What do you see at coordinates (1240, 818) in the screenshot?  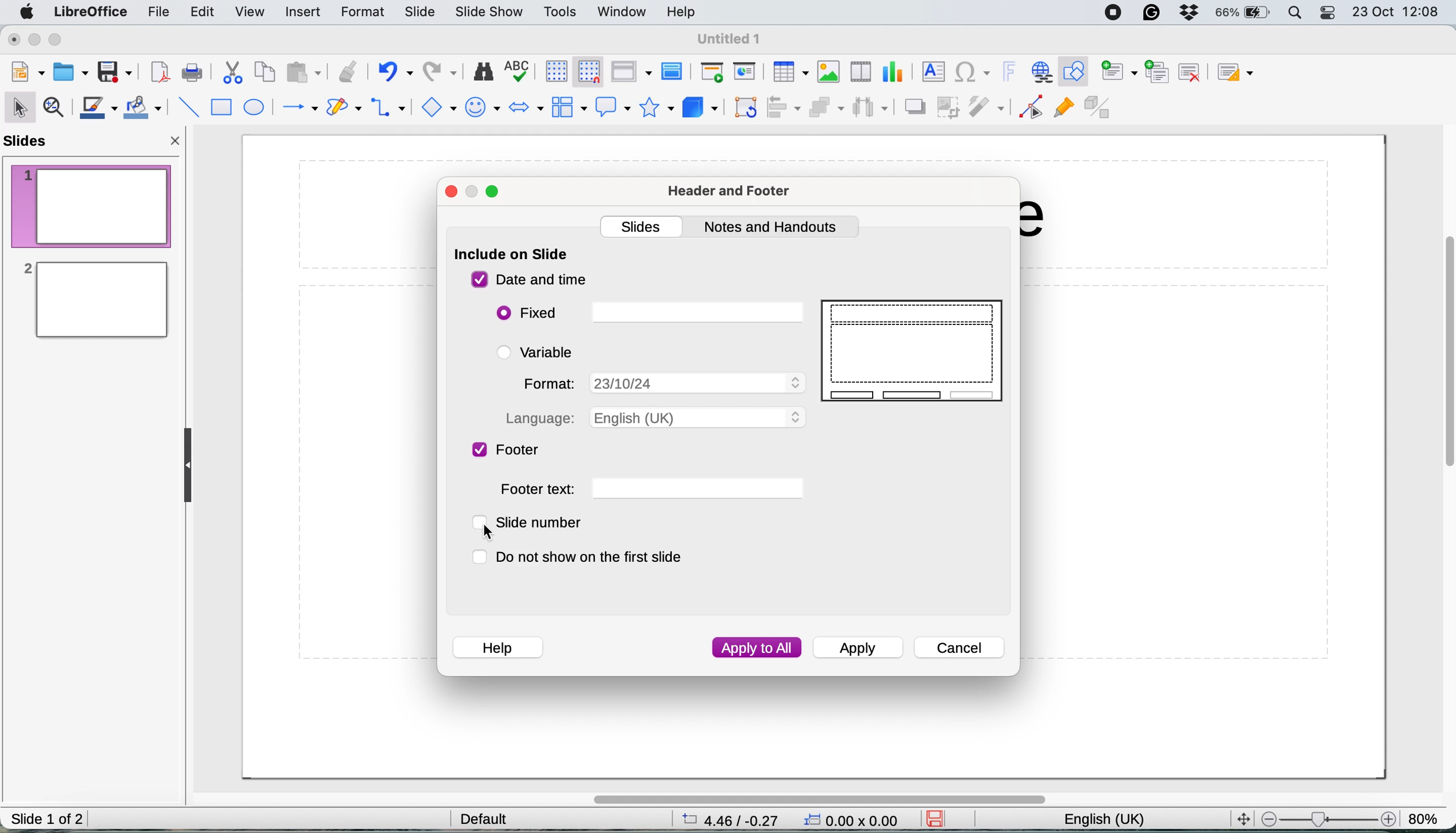 I see `fit to screen` at bounding box center [1240, 818].